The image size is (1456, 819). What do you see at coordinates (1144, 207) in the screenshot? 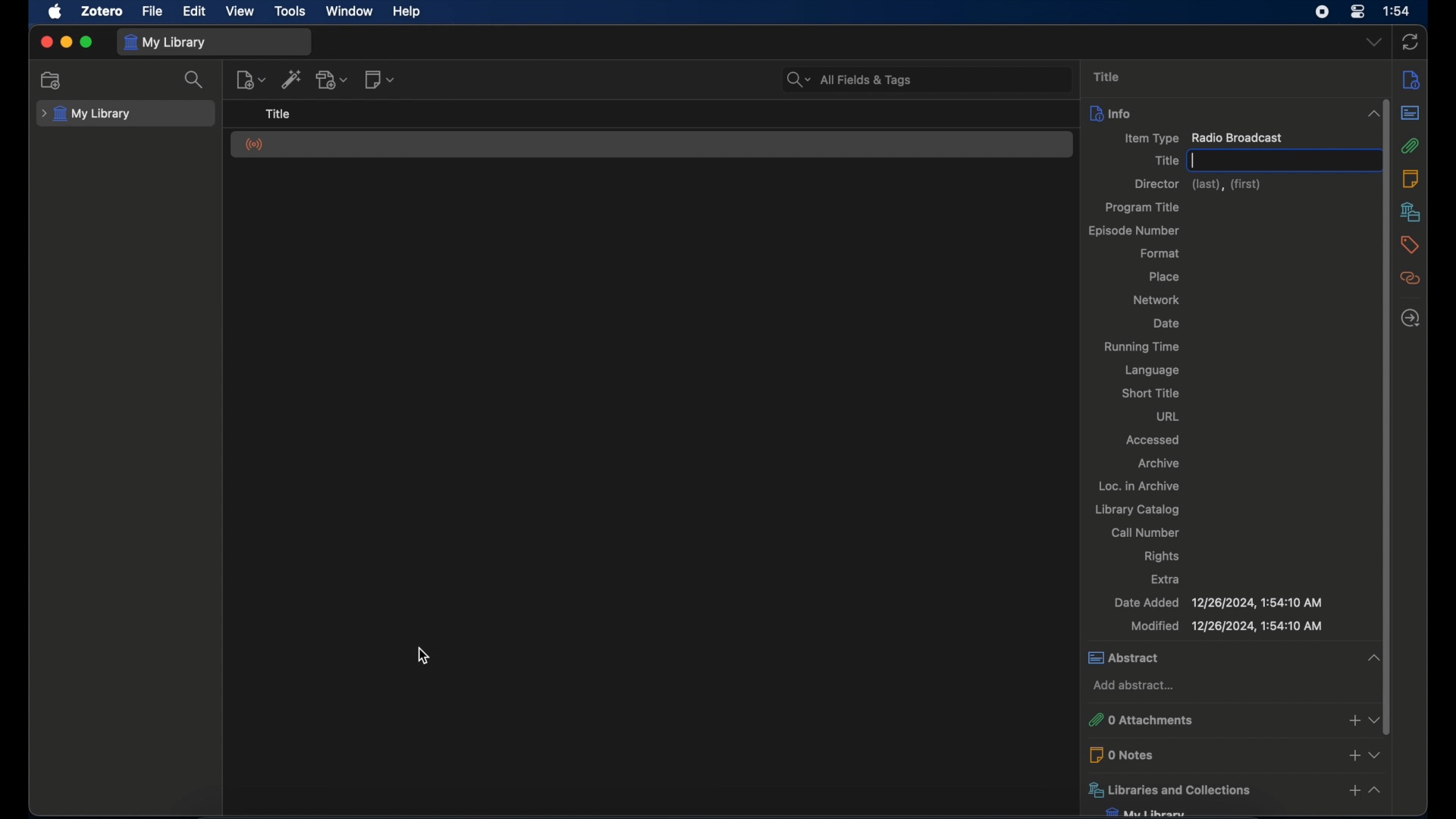
I see `program title` at bounding box center [1144, 207].